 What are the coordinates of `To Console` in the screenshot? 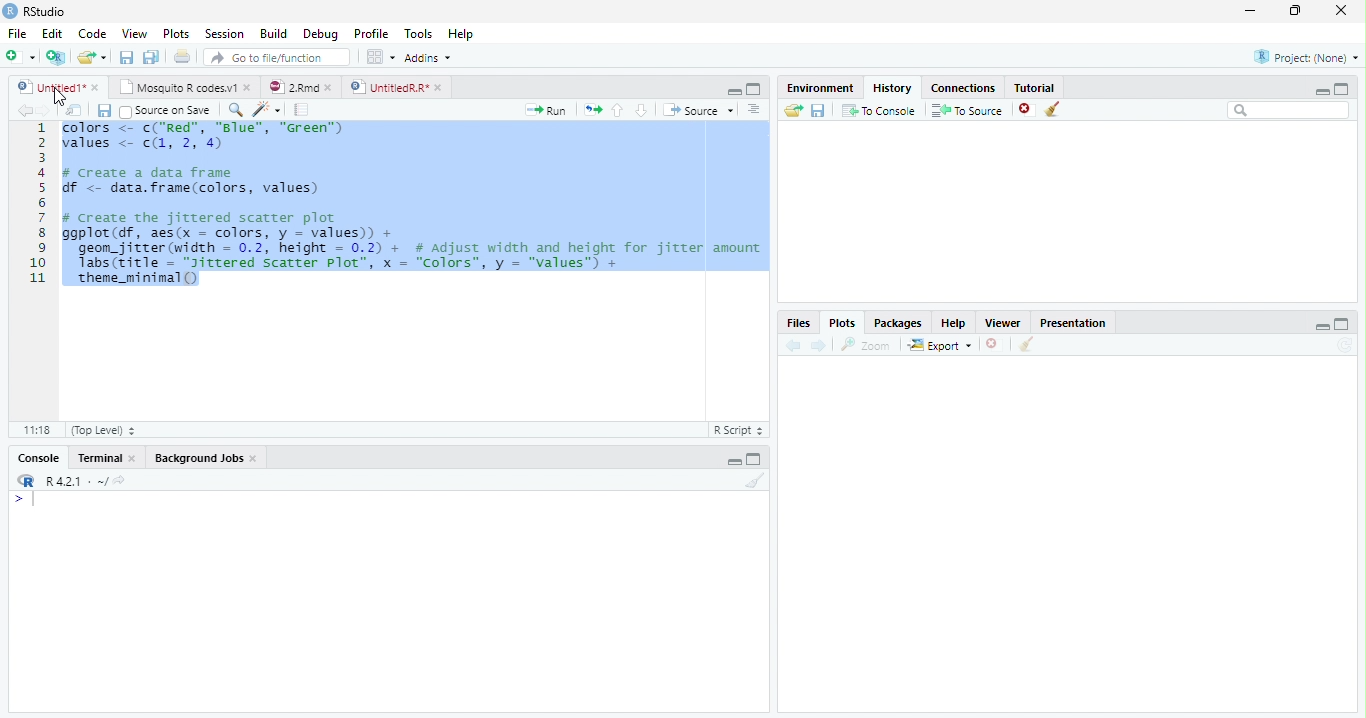 It's located at (878, 111).